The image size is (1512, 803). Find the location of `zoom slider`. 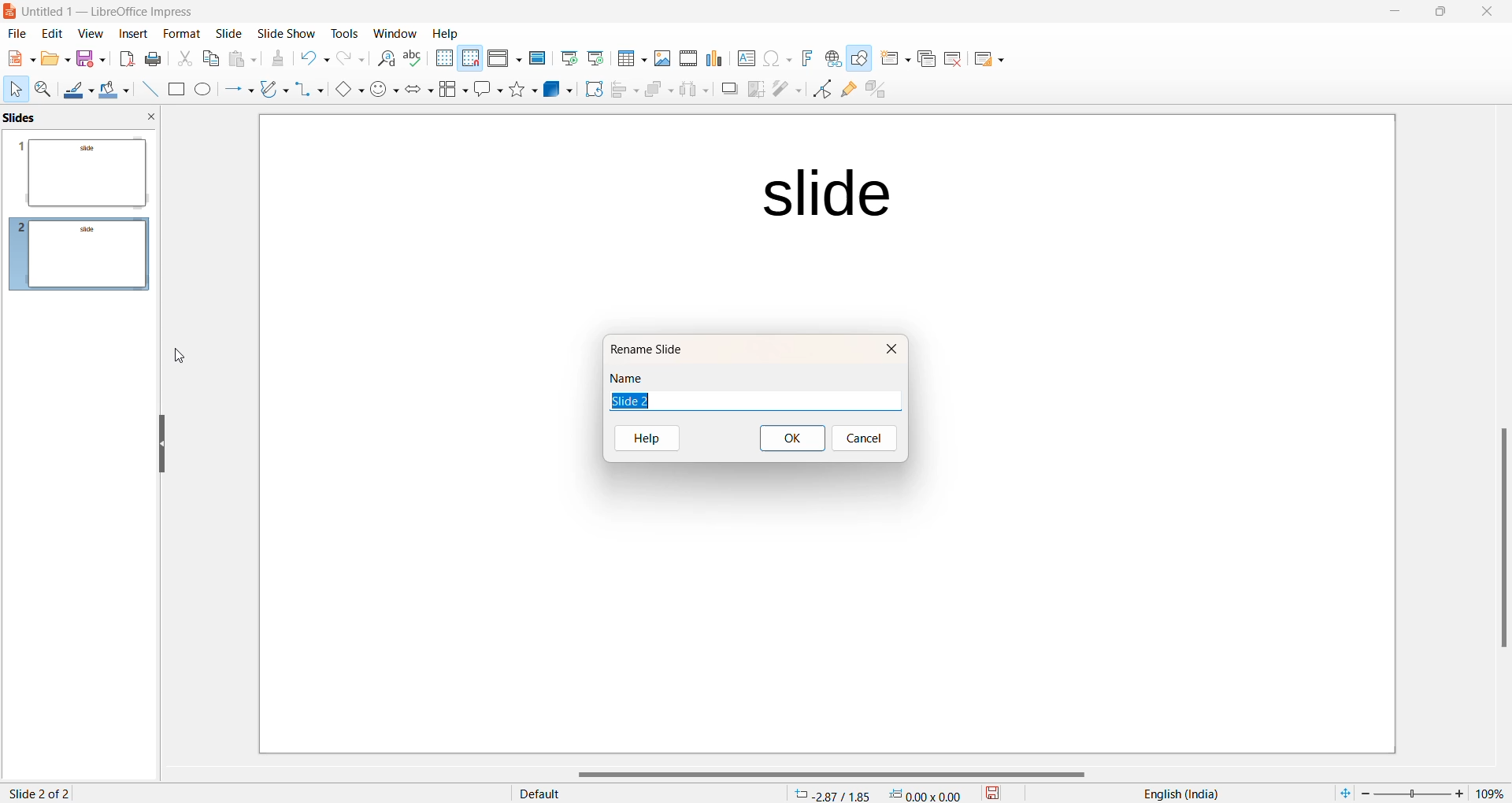

zoom slider is located at coordinates (1416, 792).